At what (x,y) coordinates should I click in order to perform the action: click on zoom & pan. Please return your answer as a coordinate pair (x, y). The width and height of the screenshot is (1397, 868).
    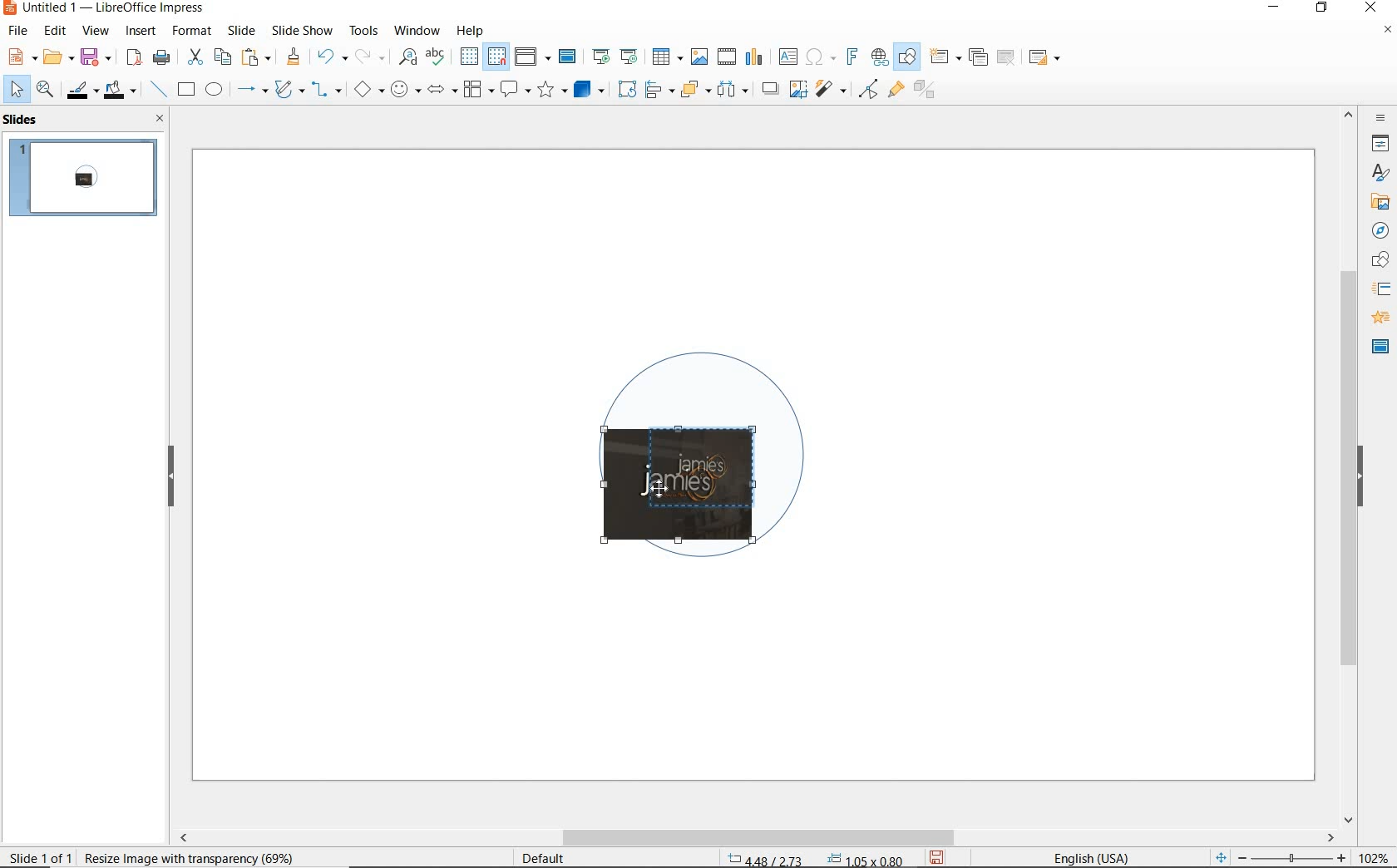
    Looking at the image, I should click on (47, 91).